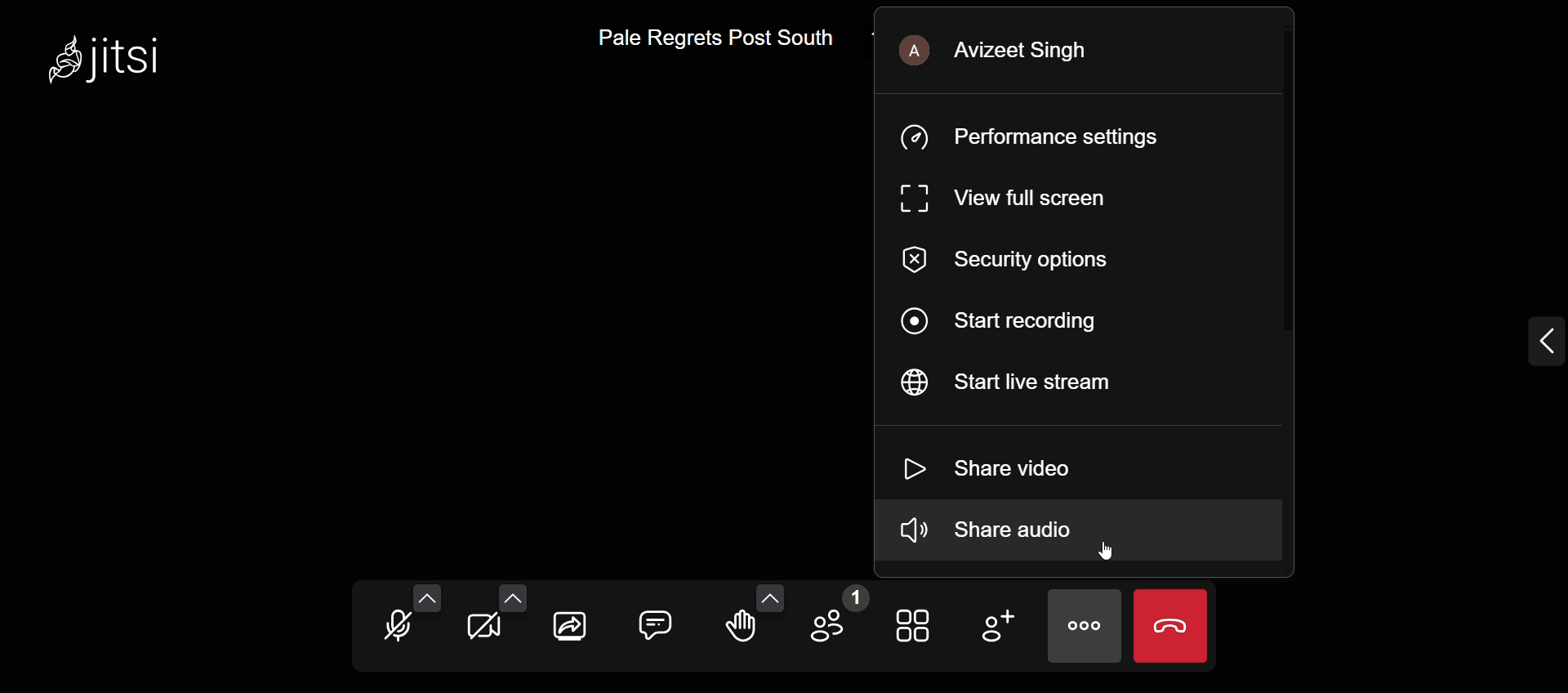 Image resolution: width=1568 pixels, height=693 pixels. Describe the element at coordinates (1110, 551) in the screenshot. I see `cursor` at that location.